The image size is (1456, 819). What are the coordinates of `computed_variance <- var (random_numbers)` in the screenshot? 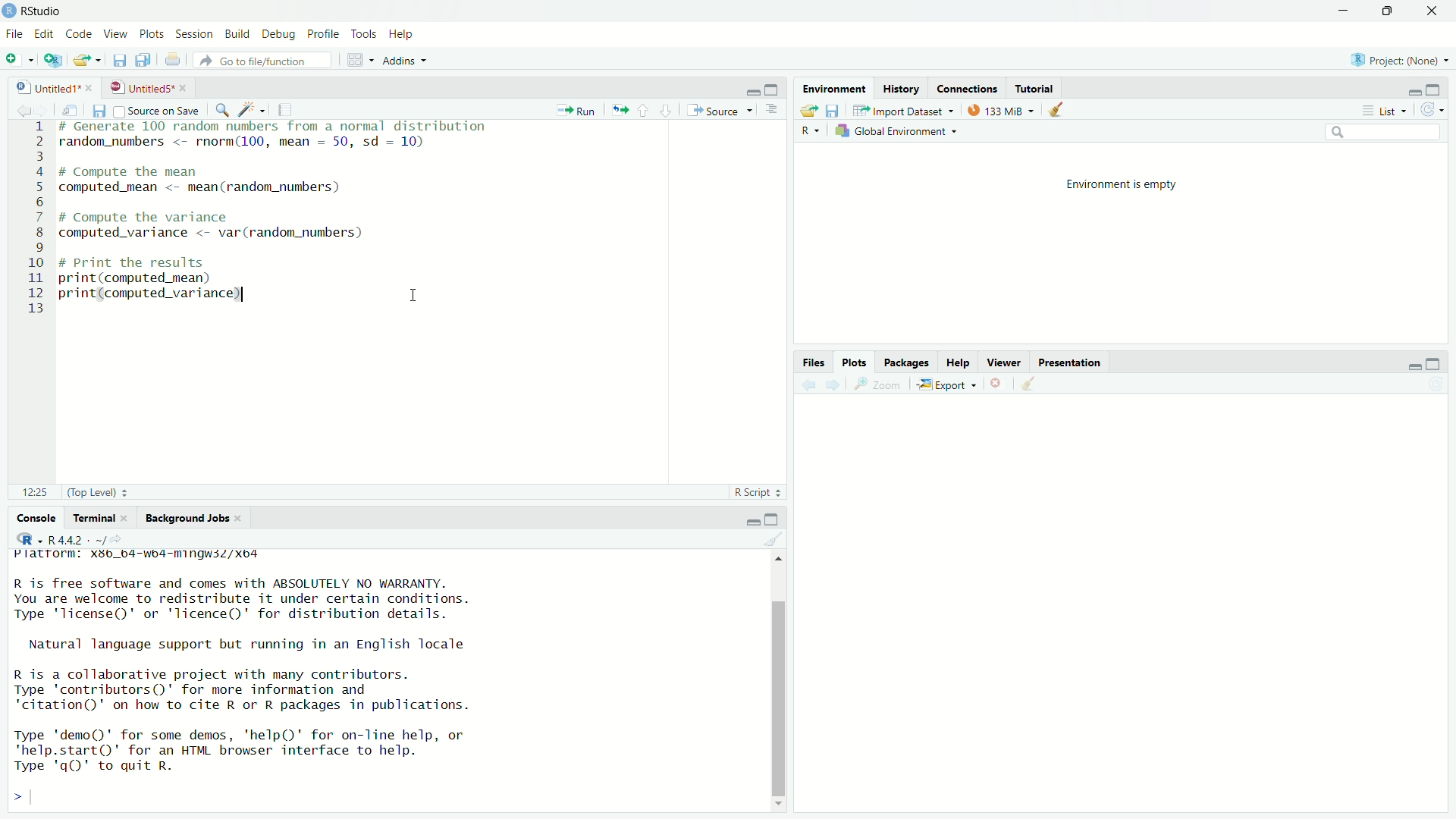 It's located at (227, 232).